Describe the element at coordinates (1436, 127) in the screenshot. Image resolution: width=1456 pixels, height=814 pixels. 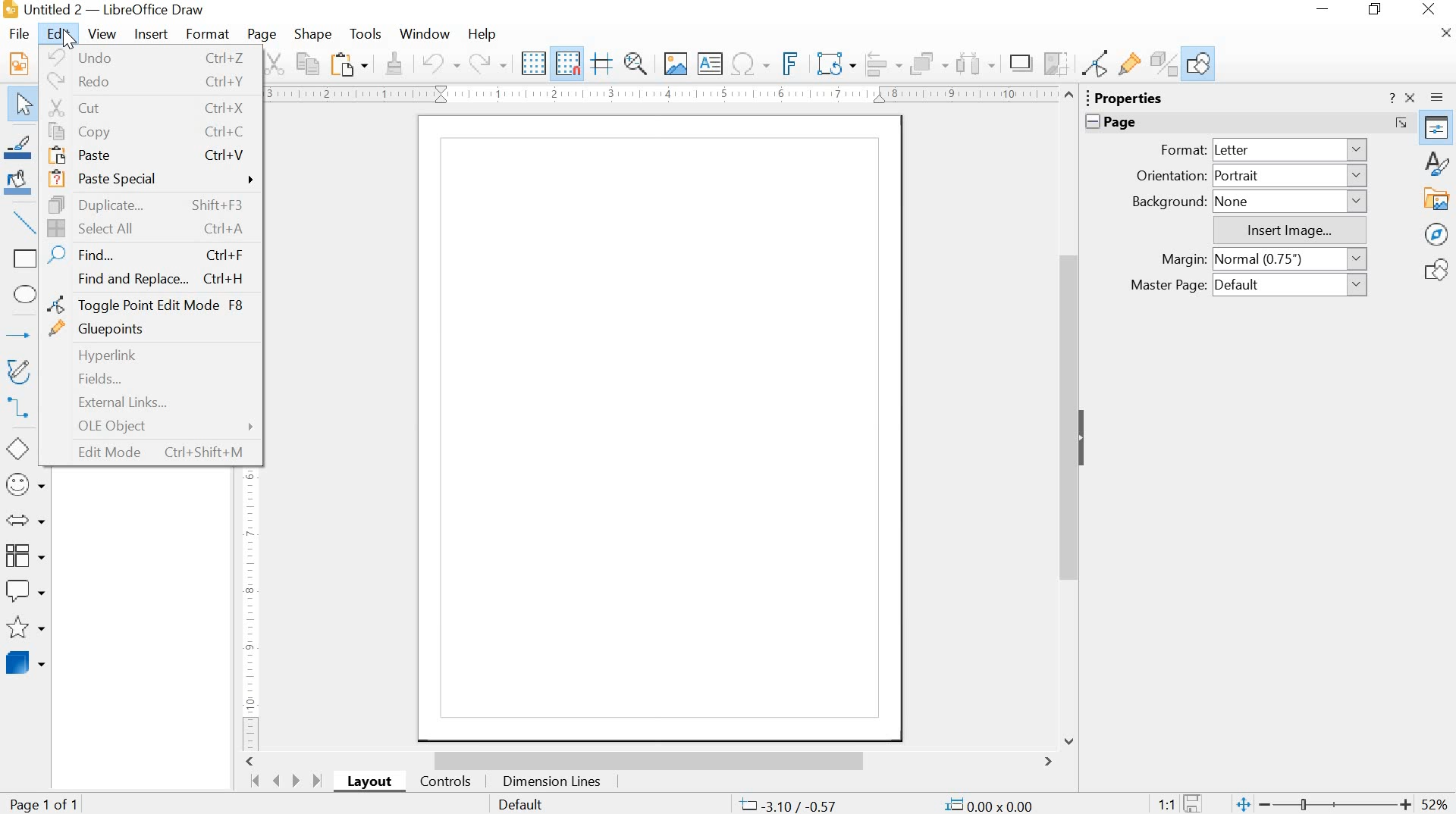
I see `Properties` at that location.